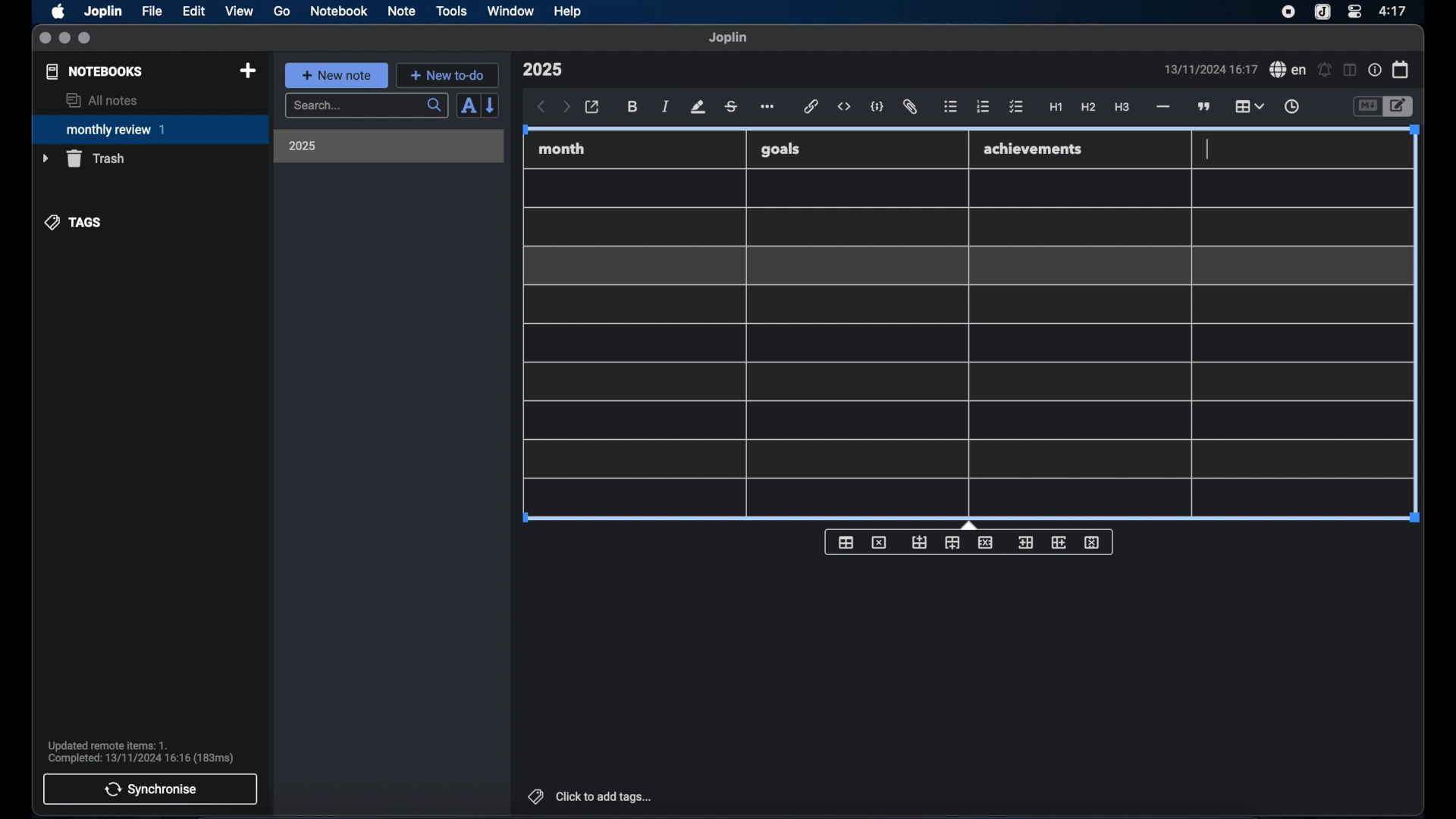 This screenshot has height=819, width=1456. What do you see at coordinates (1247, 106) in the screenshot?
I see `table highlighted` at bounding box center [1247, 106].